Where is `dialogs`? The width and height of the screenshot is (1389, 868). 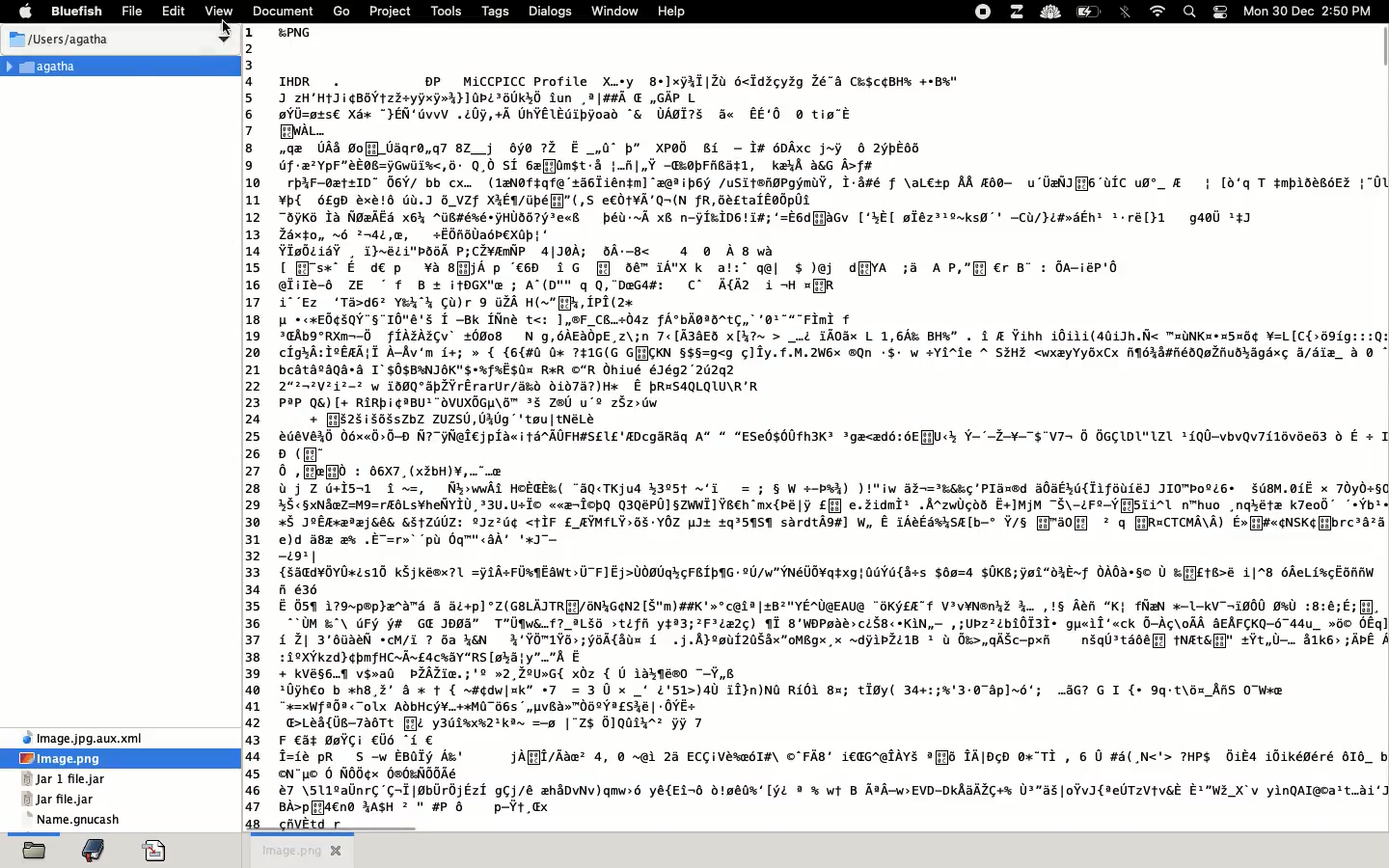
dialogs is located at coordinates (551, 11).